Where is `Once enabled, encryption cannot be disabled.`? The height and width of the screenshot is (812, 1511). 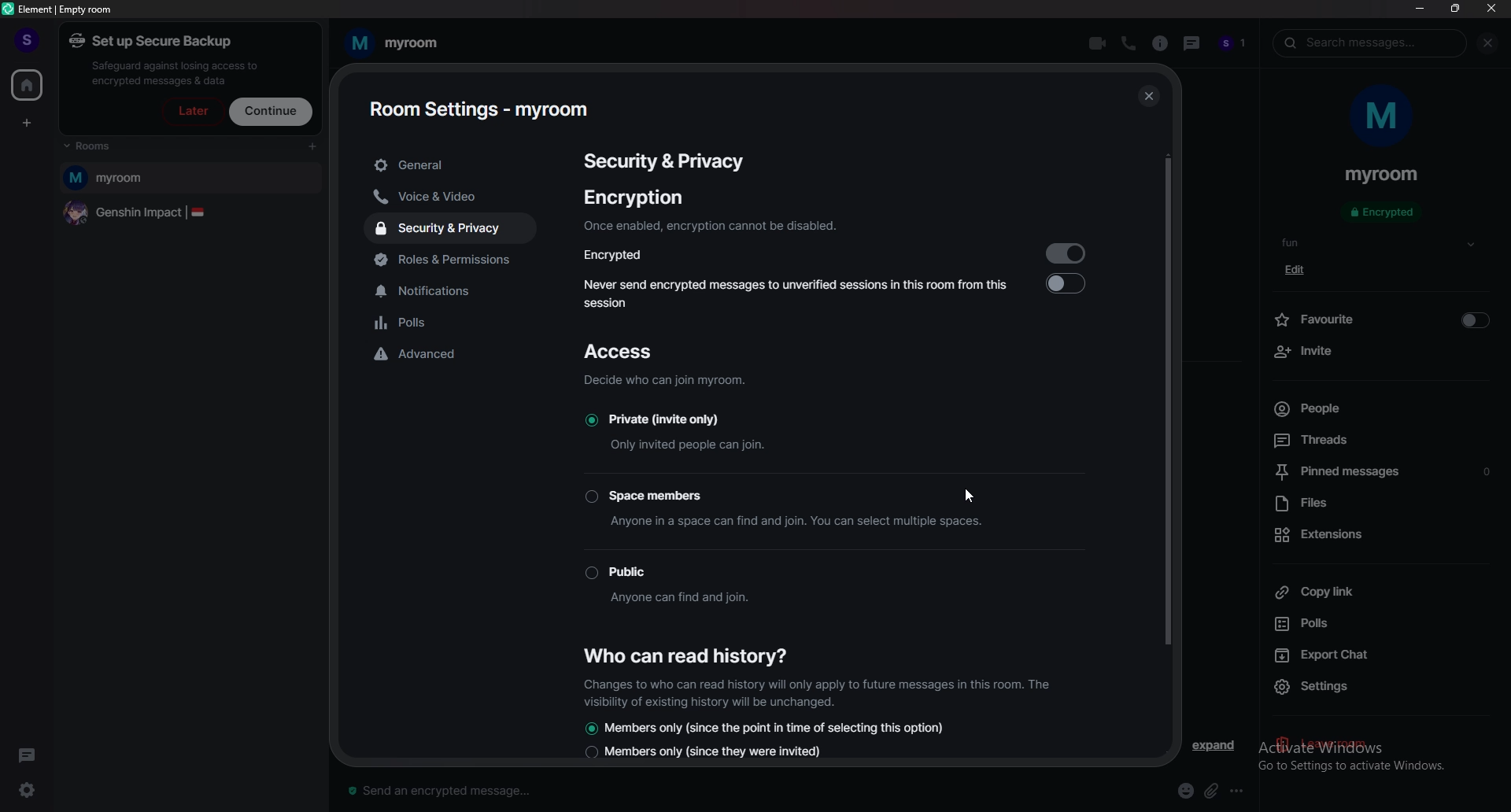 Once enabled, encryption cannot be disabled. is located at coordinates (711, 225).